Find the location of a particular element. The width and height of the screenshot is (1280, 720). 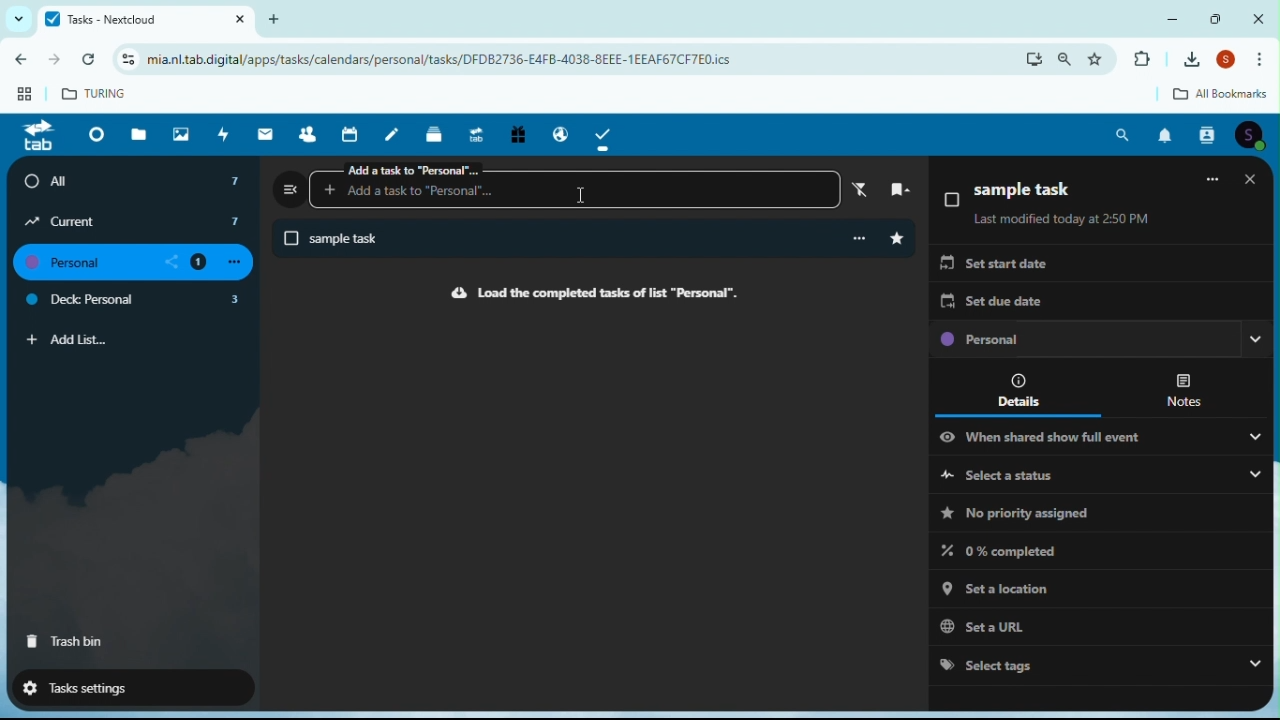

Search is located at coordinates (1124, 135).